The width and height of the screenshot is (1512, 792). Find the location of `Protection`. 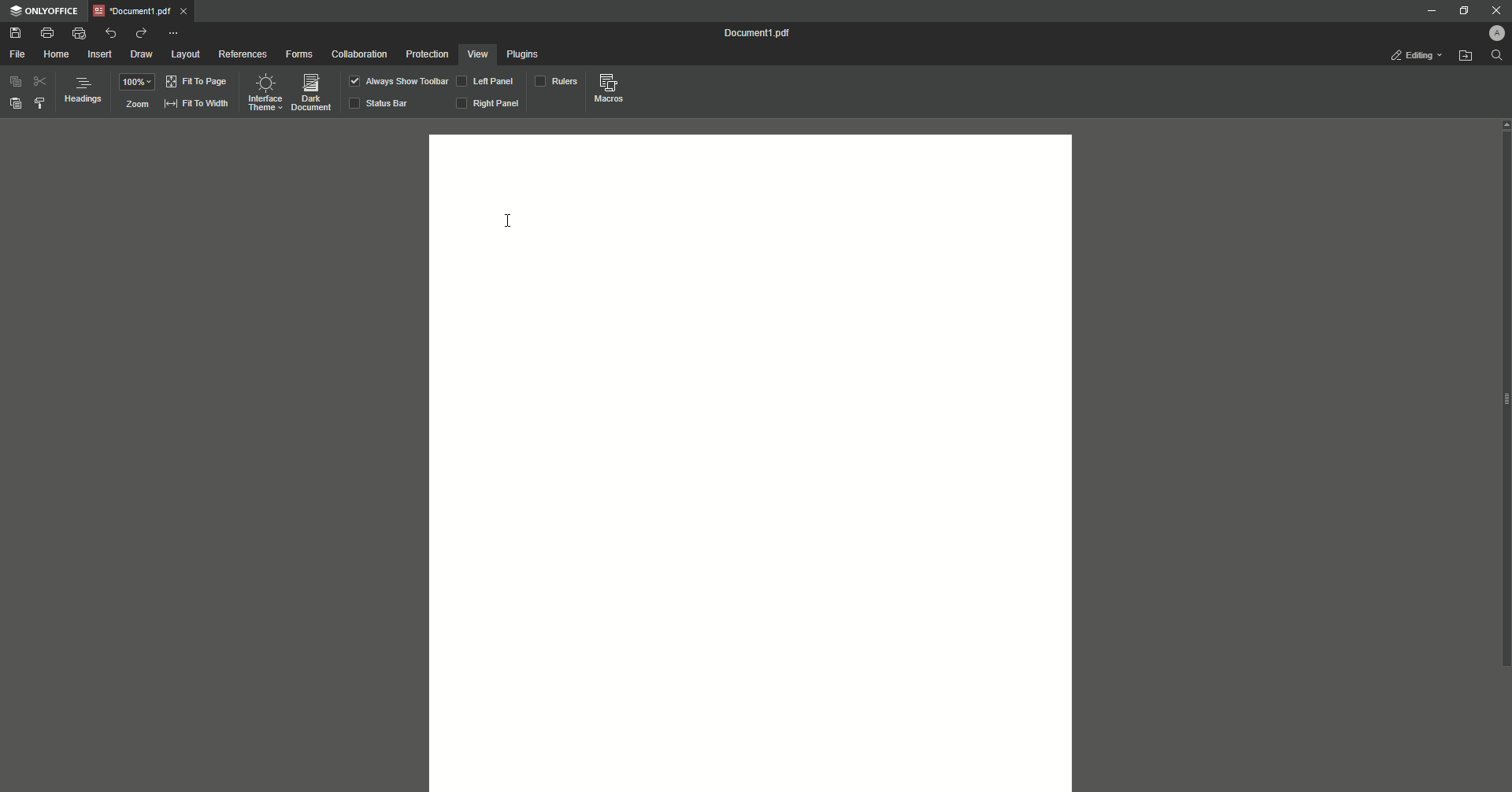

Protection is located at coordinates (428, 55).